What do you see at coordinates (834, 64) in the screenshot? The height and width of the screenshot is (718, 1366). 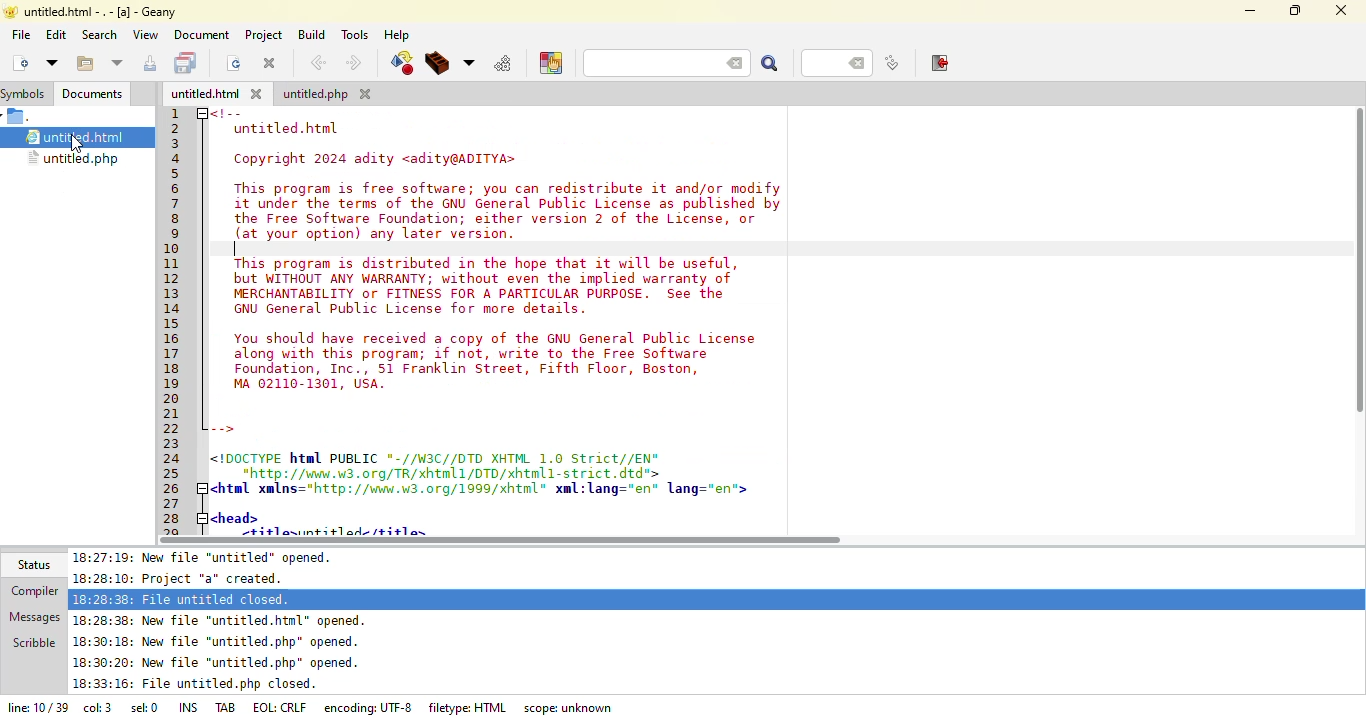 I see `jump to entered line number` at bounding box center [834, 64].